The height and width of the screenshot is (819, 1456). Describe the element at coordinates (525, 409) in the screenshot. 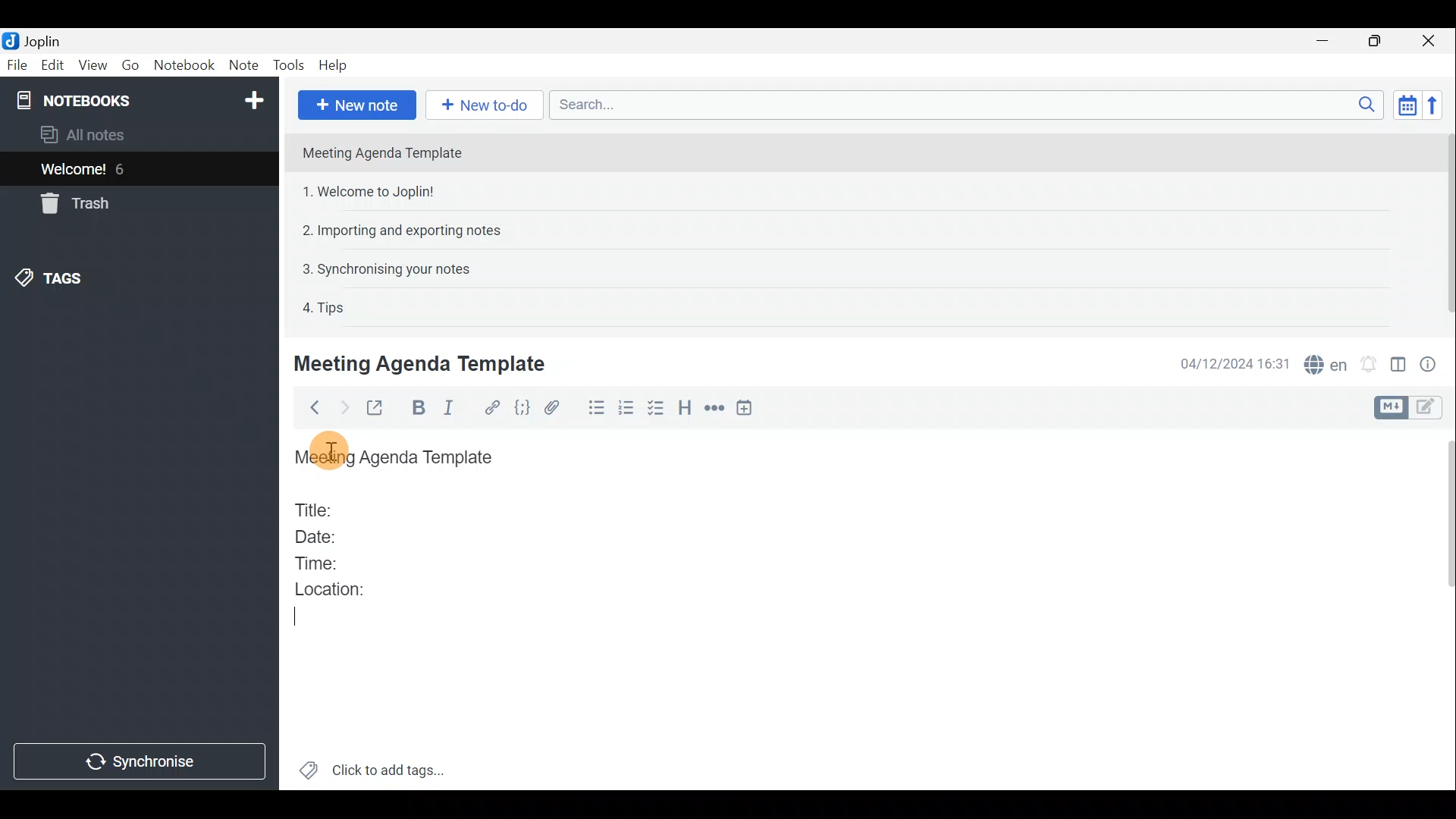

I see `Code` at that location.